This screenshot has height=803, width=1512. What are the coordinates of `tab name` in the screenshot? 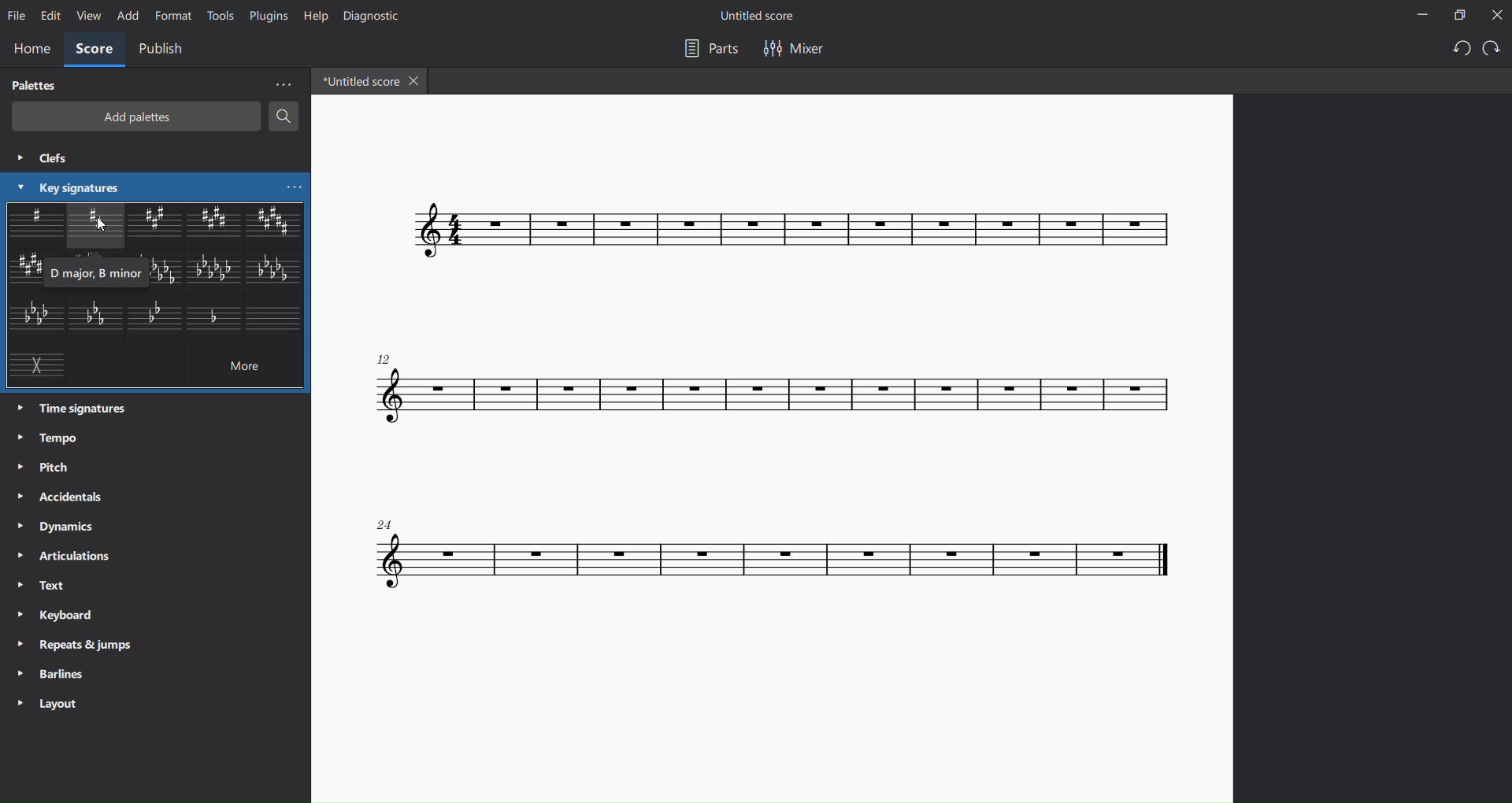 It's located at (360, 82).